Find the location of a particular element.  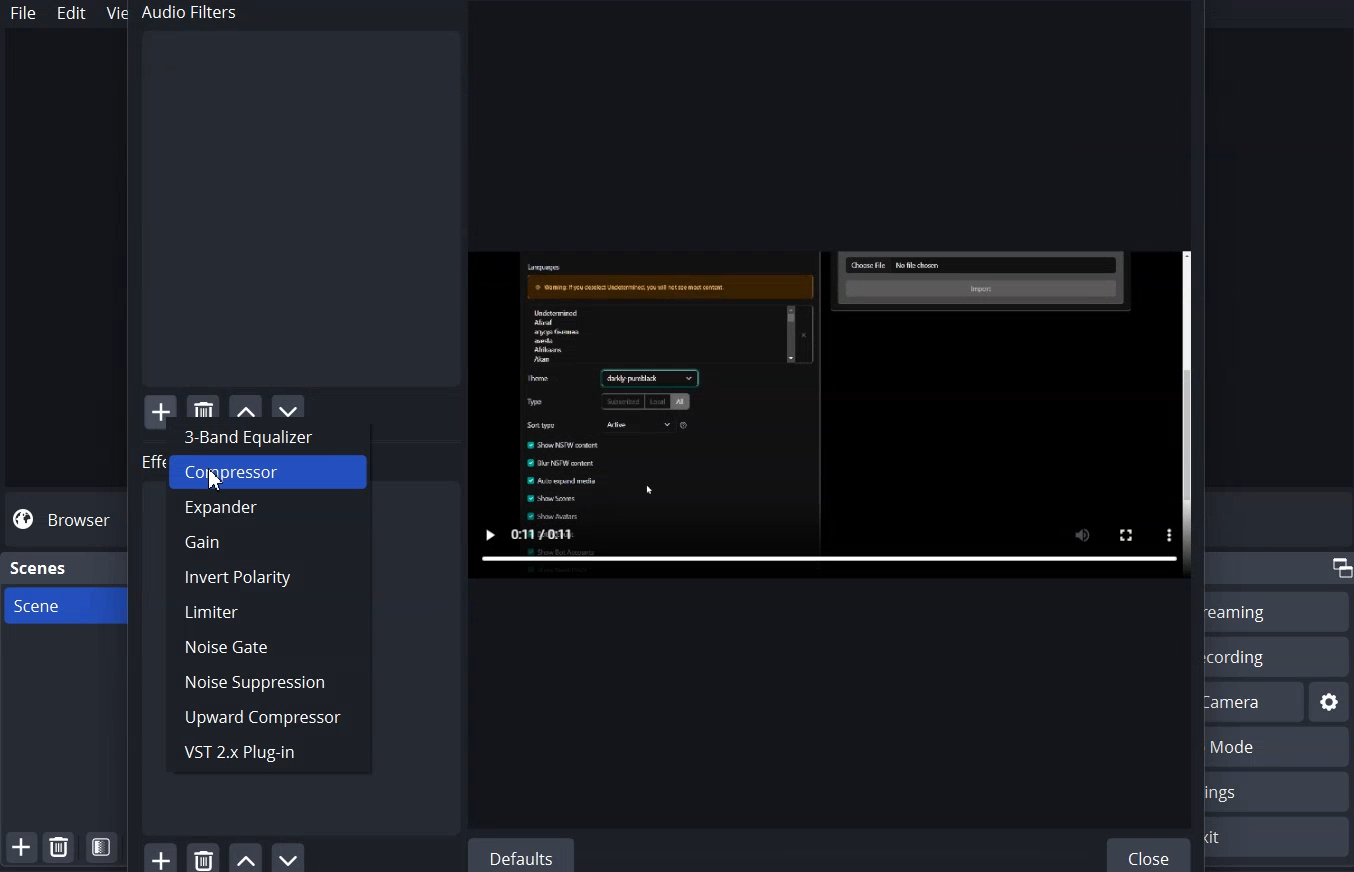

Audio Filters is located at coordinates (297, 196).